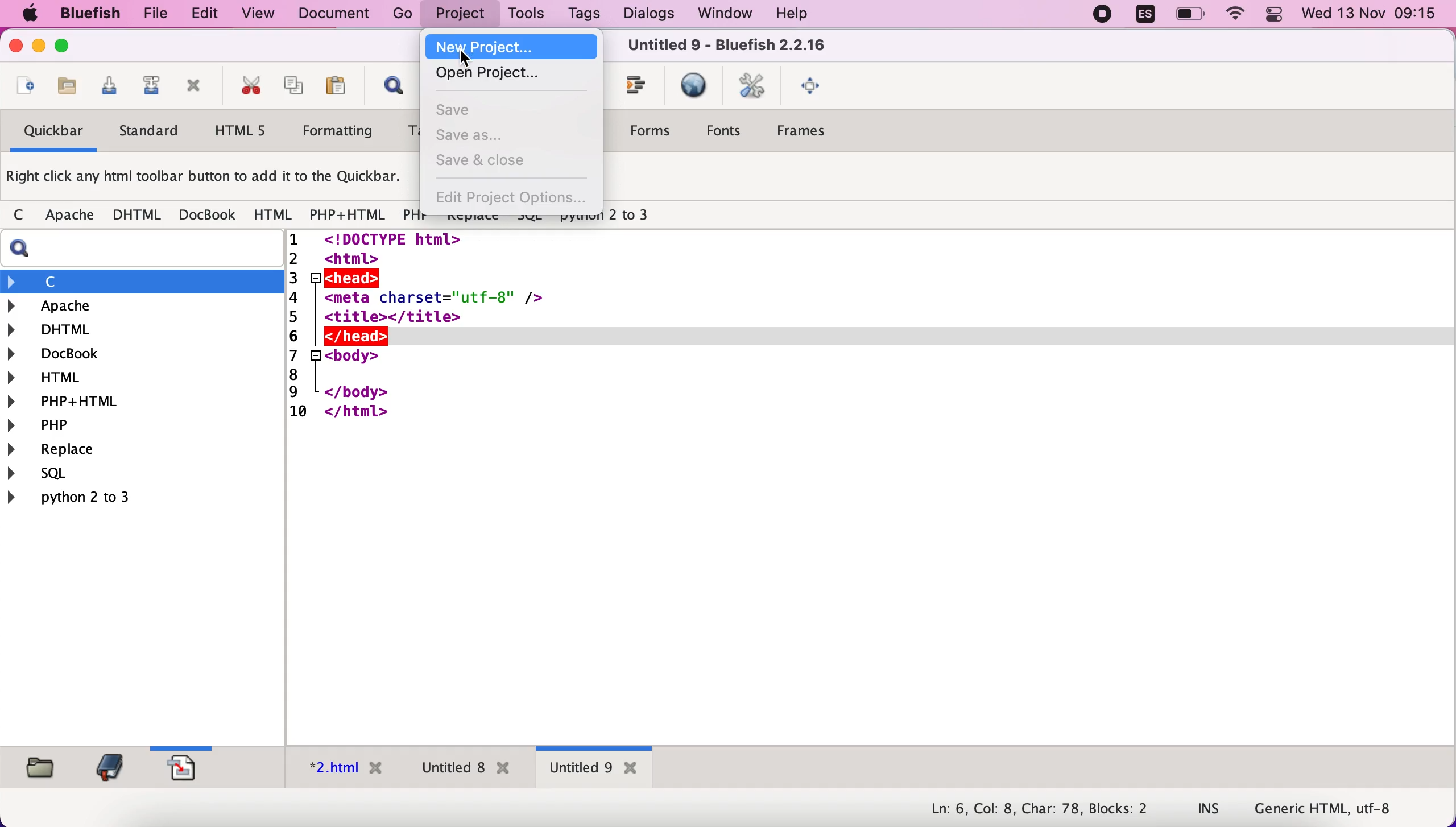 This screenshot has width=1456, height=827. Describe the element at coordinates (483, 136) in the screenshot. I see `save as` at that location.